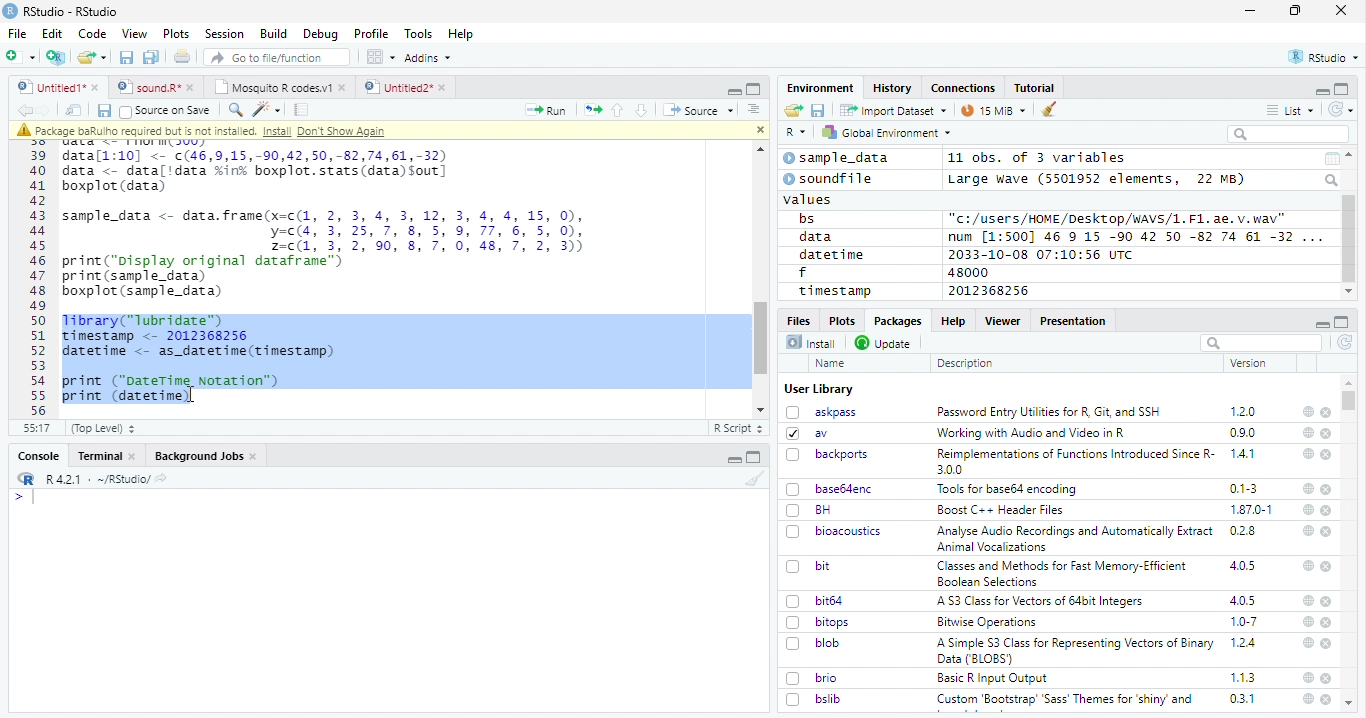  What do you see at coordinates (1348, 292) in the screenshot?
I see `scroll down` at bounding box center [1348, 292].